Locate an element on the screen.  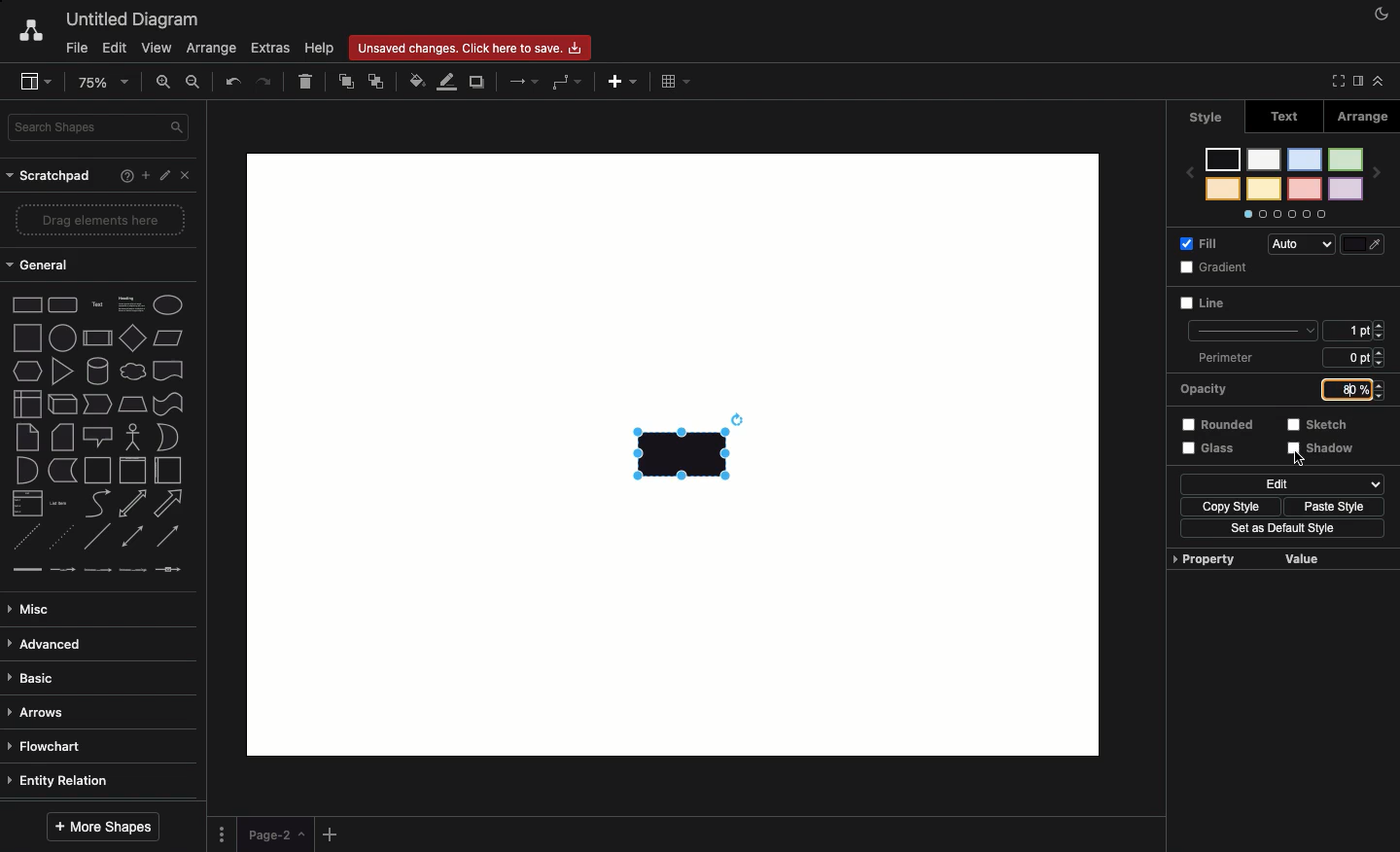
color 4 is located at coordinates (1304, 190).